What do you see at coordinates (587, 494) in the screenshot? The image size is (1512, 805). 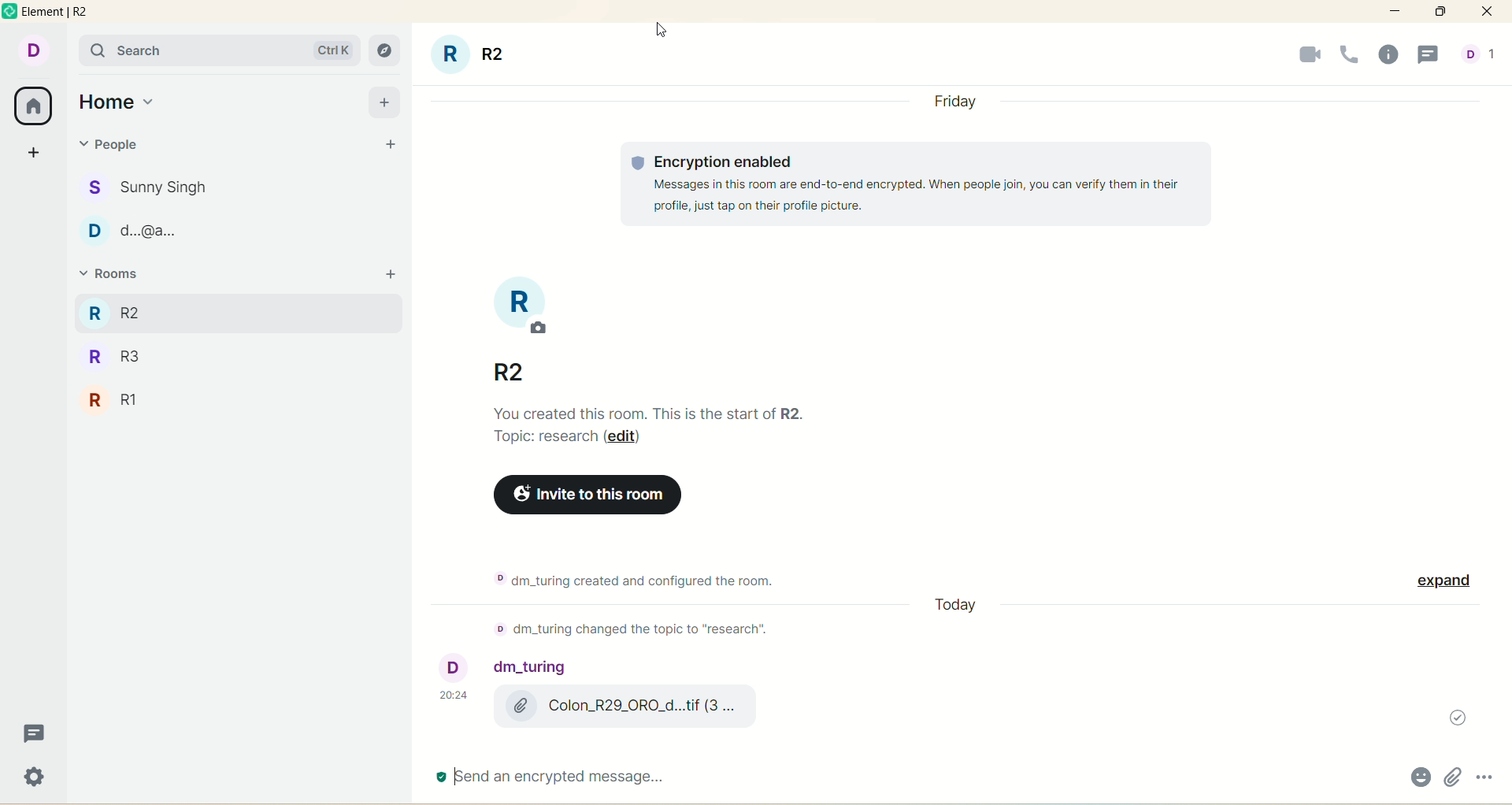 I see `` at bounding box center [587, 494].